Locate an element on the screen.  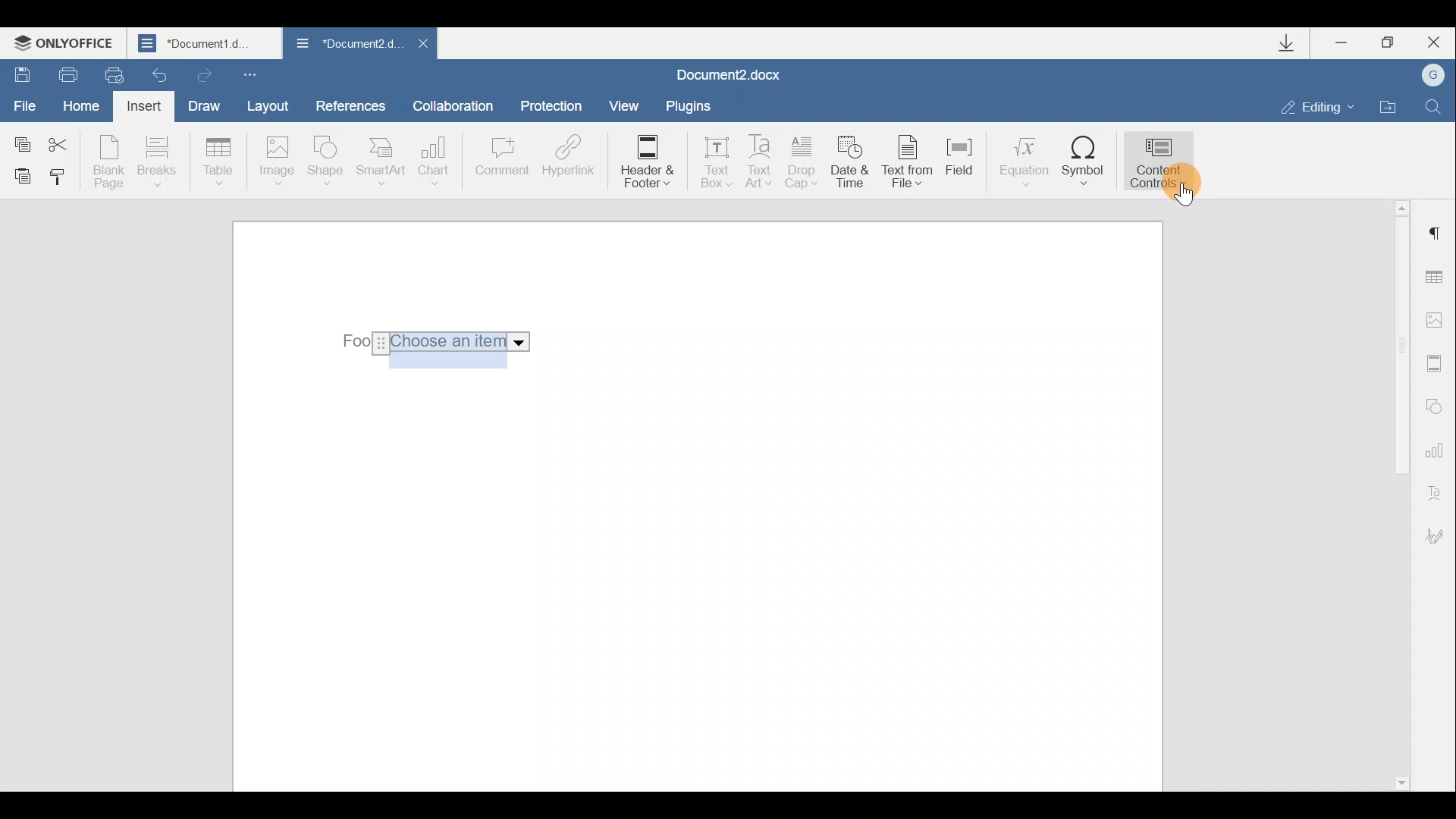
Text Art is located at coordinates (761, 162).